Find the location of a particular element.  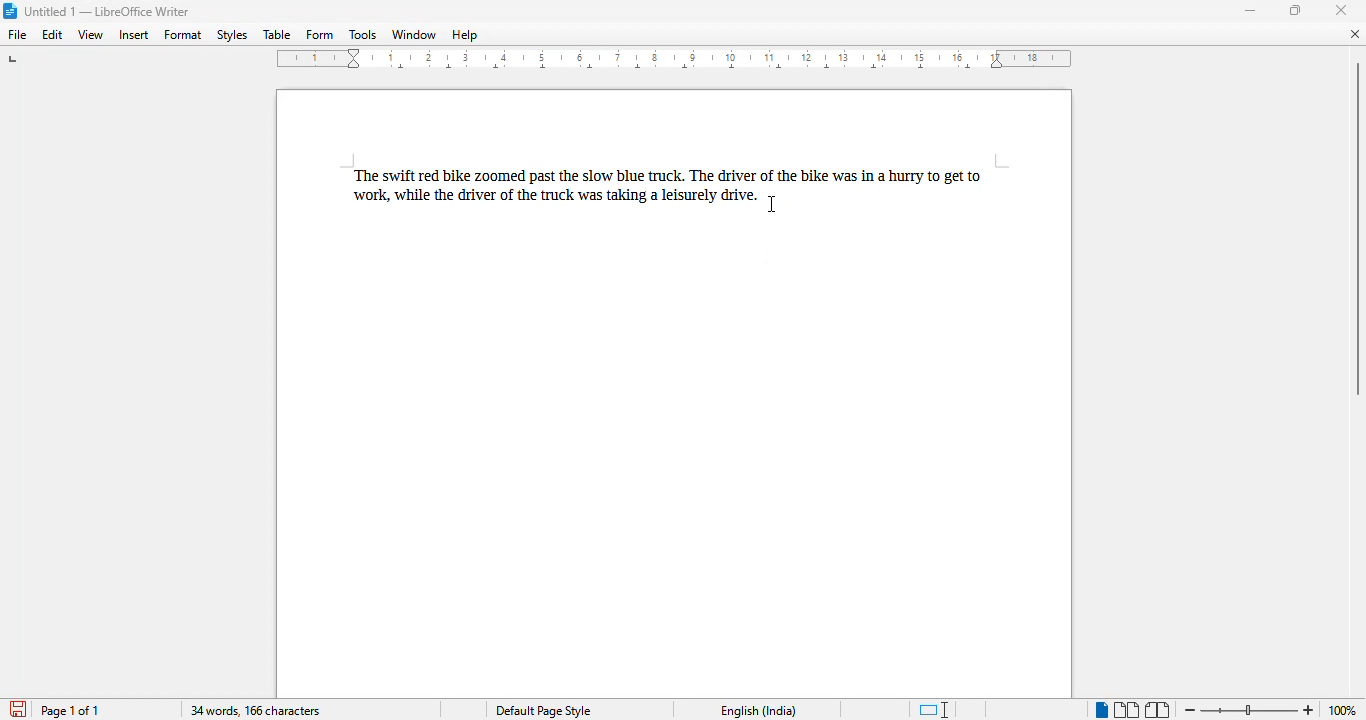

file is located at coordinates (18, 34).